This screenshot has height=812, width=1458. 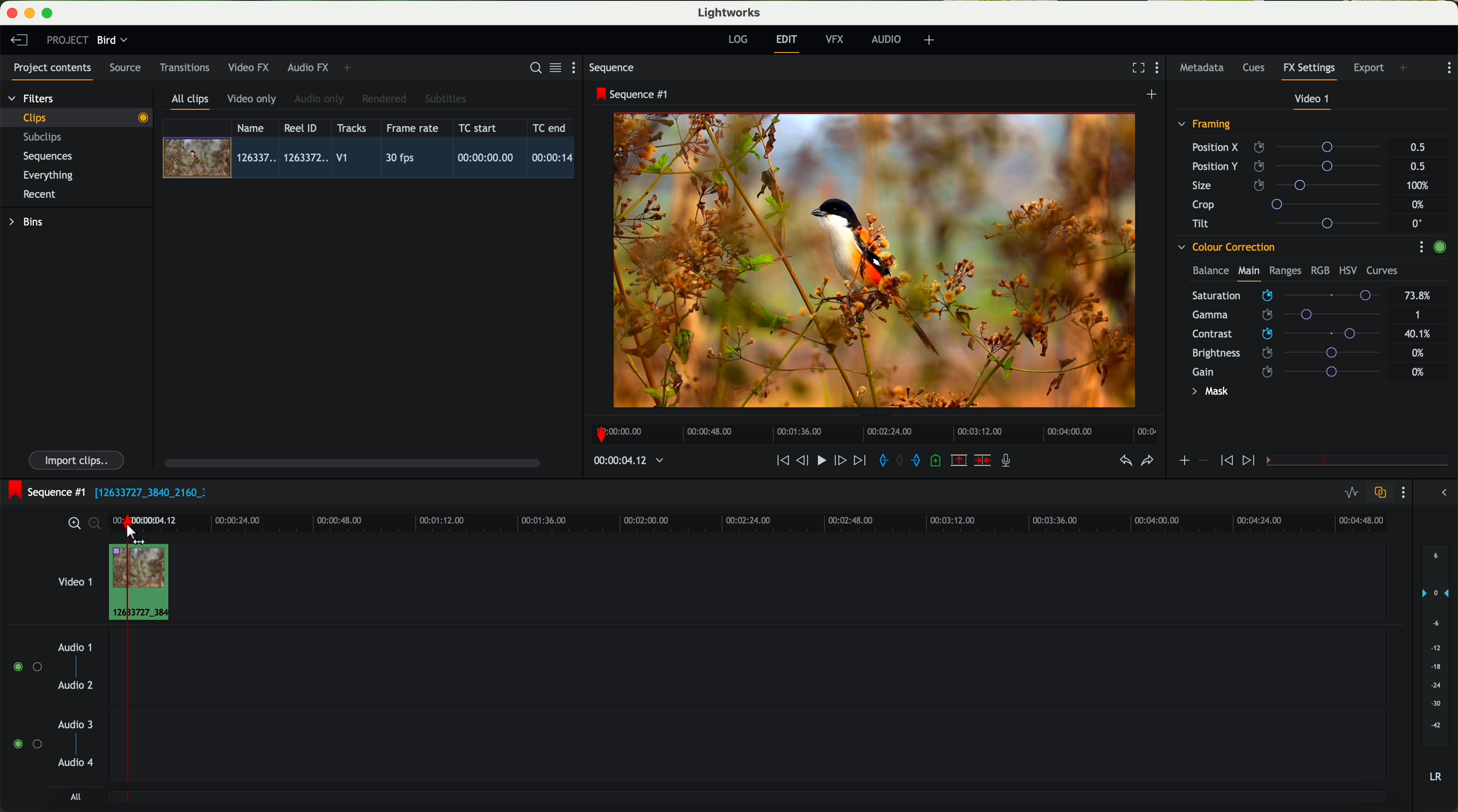 I want to click on click on video, so click(x=372, y=160).